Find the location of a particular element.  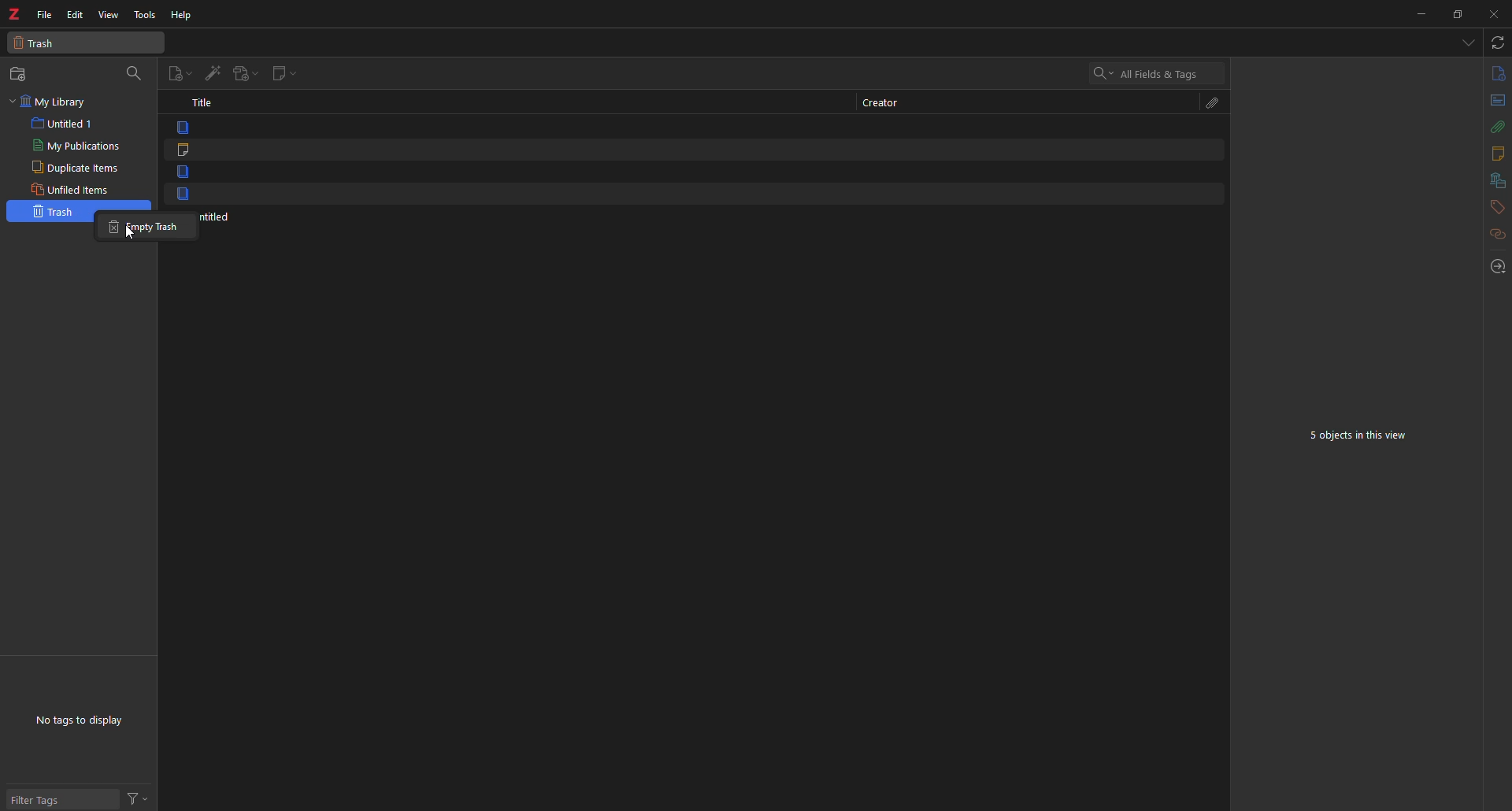

maximize is located at coordinates (1458, 15).